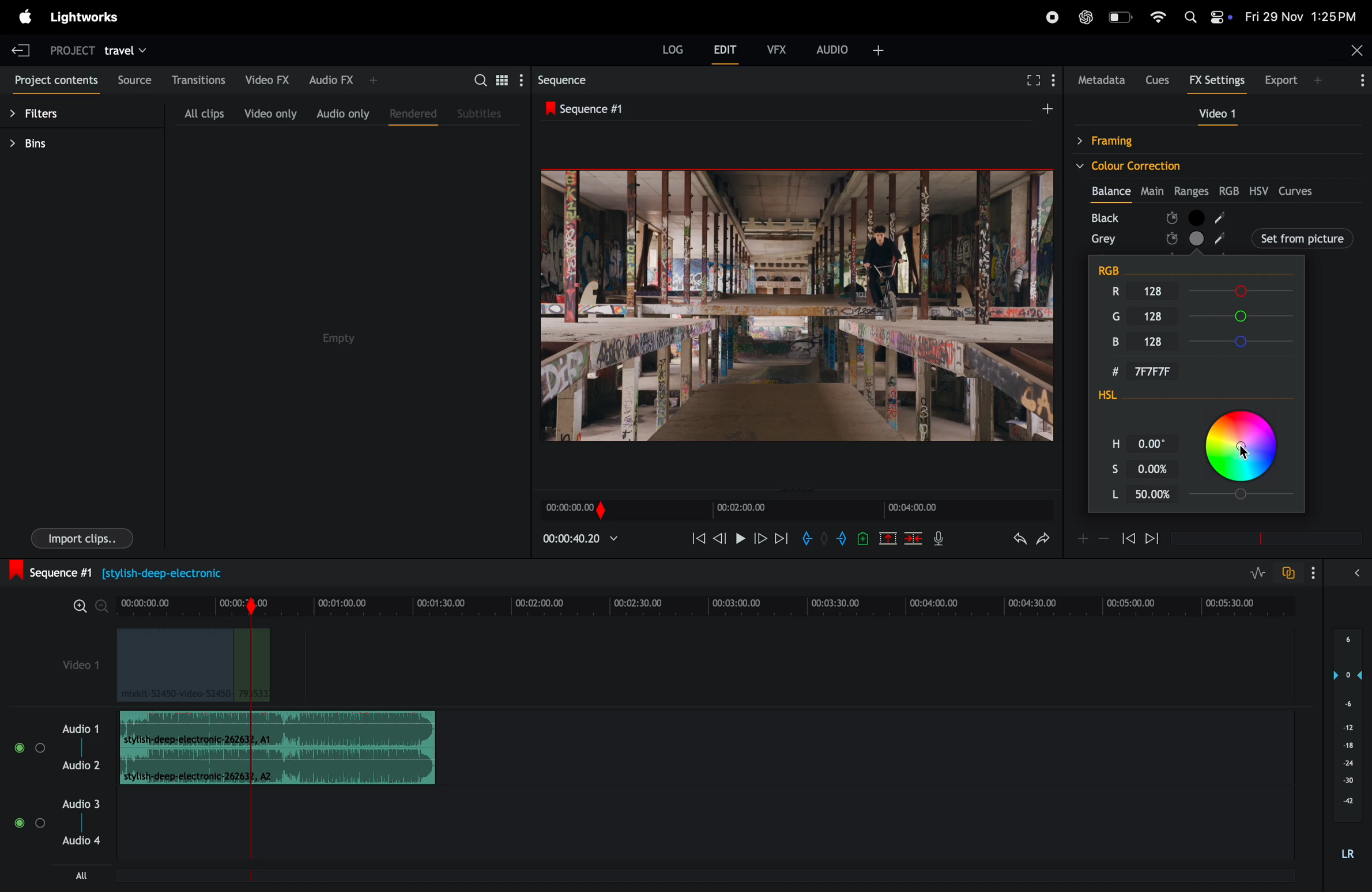 The width and height of the screenshot is (1372, 892). I want to click on metadata, so click(1099, 80).